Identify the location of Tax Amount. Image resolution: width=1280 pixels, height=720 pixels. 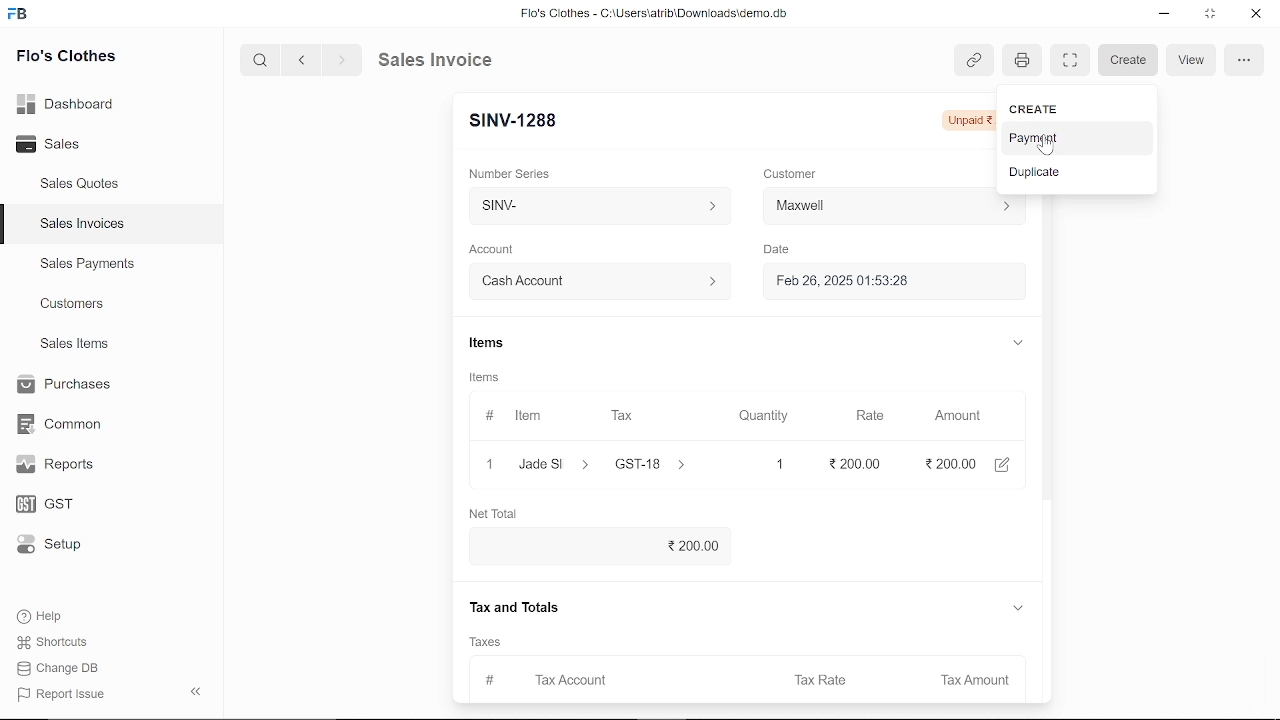
(983, 680).